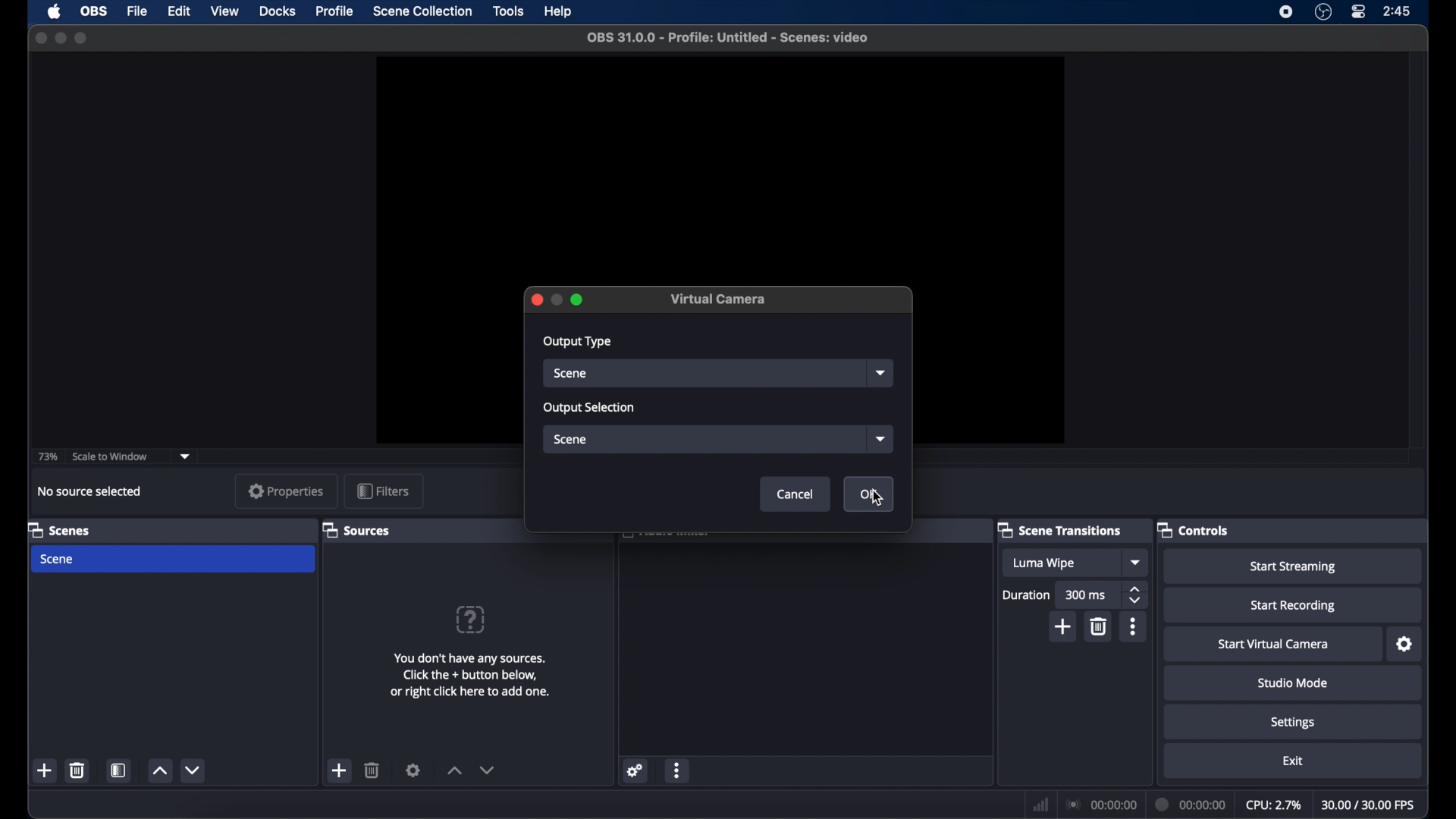  What do you see at coordinates (1136, 595) in the screenshot?
I see `stepper buttons` at bounding box center [1136, 595].